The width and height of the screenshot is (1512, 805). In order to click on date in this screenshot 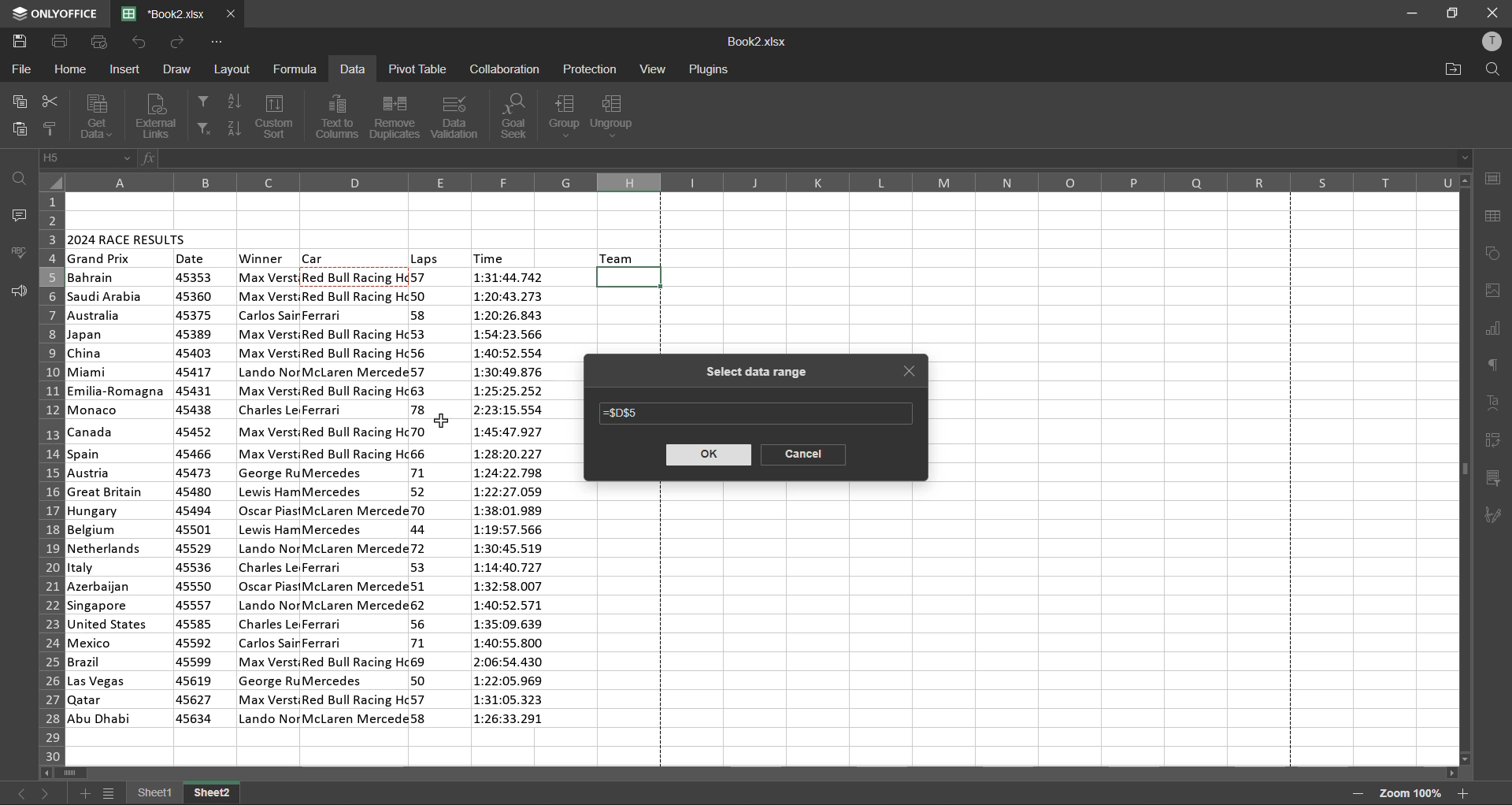, I will do `click(191, 258)`.